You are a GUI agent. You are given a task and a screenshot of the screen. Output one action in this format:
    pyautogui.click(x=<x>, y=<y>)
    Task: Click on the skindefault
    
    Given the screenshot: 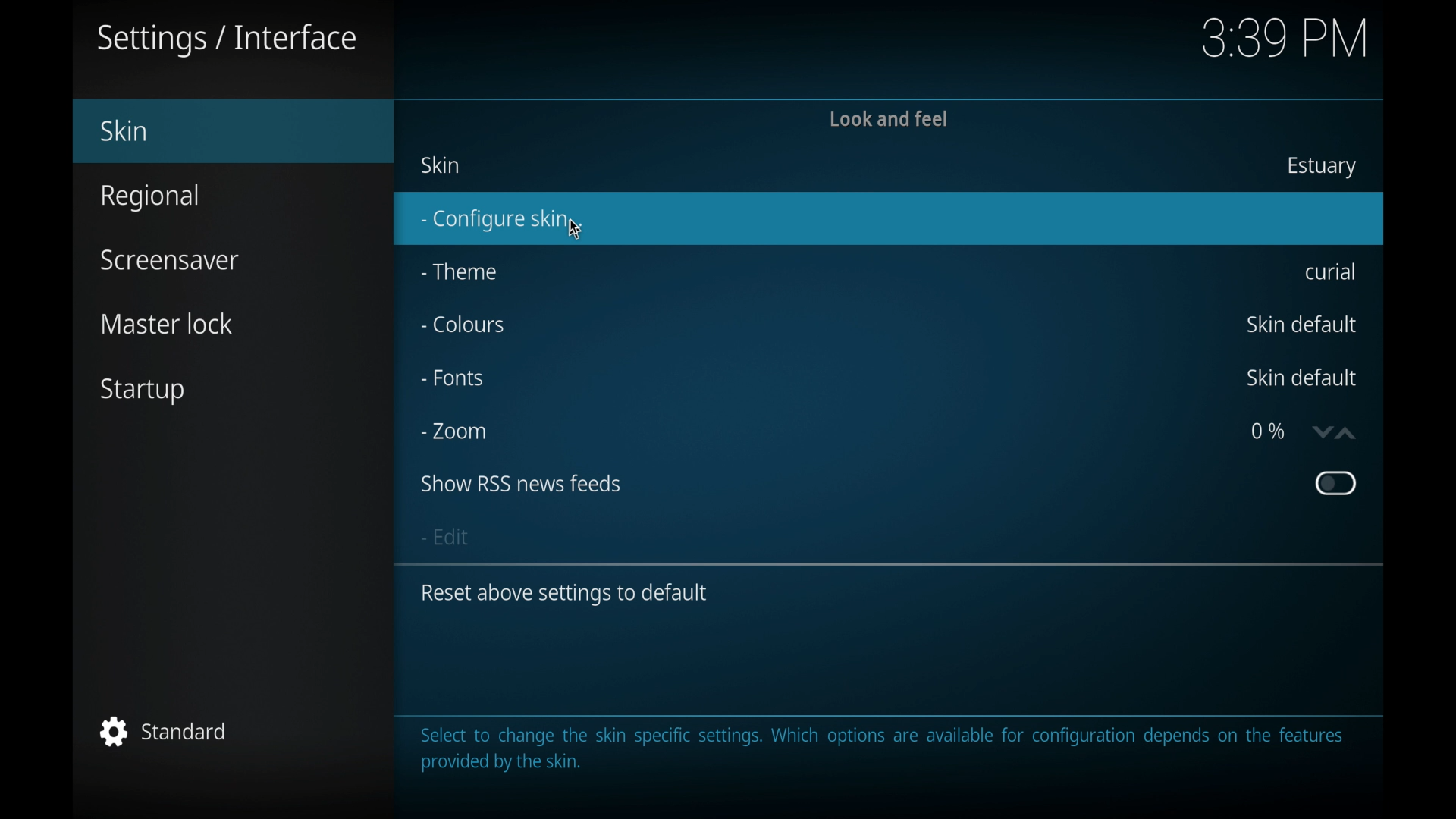 What is the action you would take?
    pyautogui.click(x=1301, y=378)
    